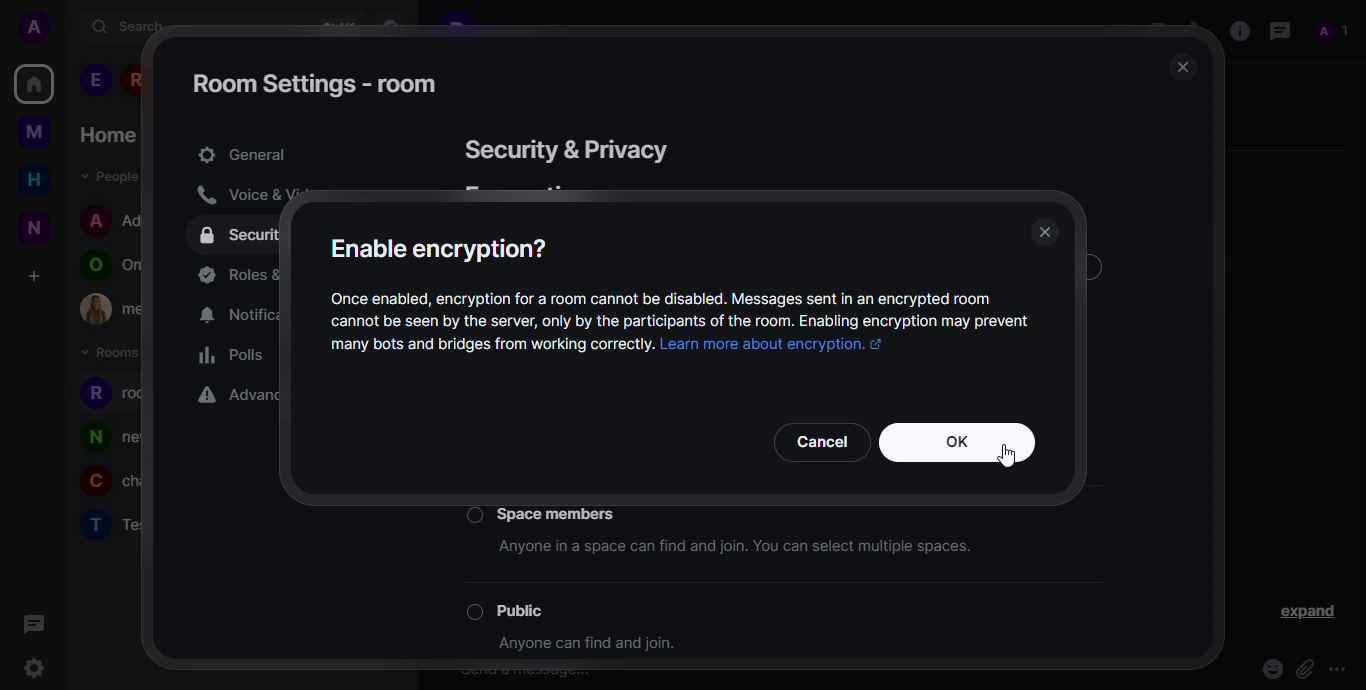  Describe the element at coordinates (92, 484) in the screenshot. I see `profile` at that location.